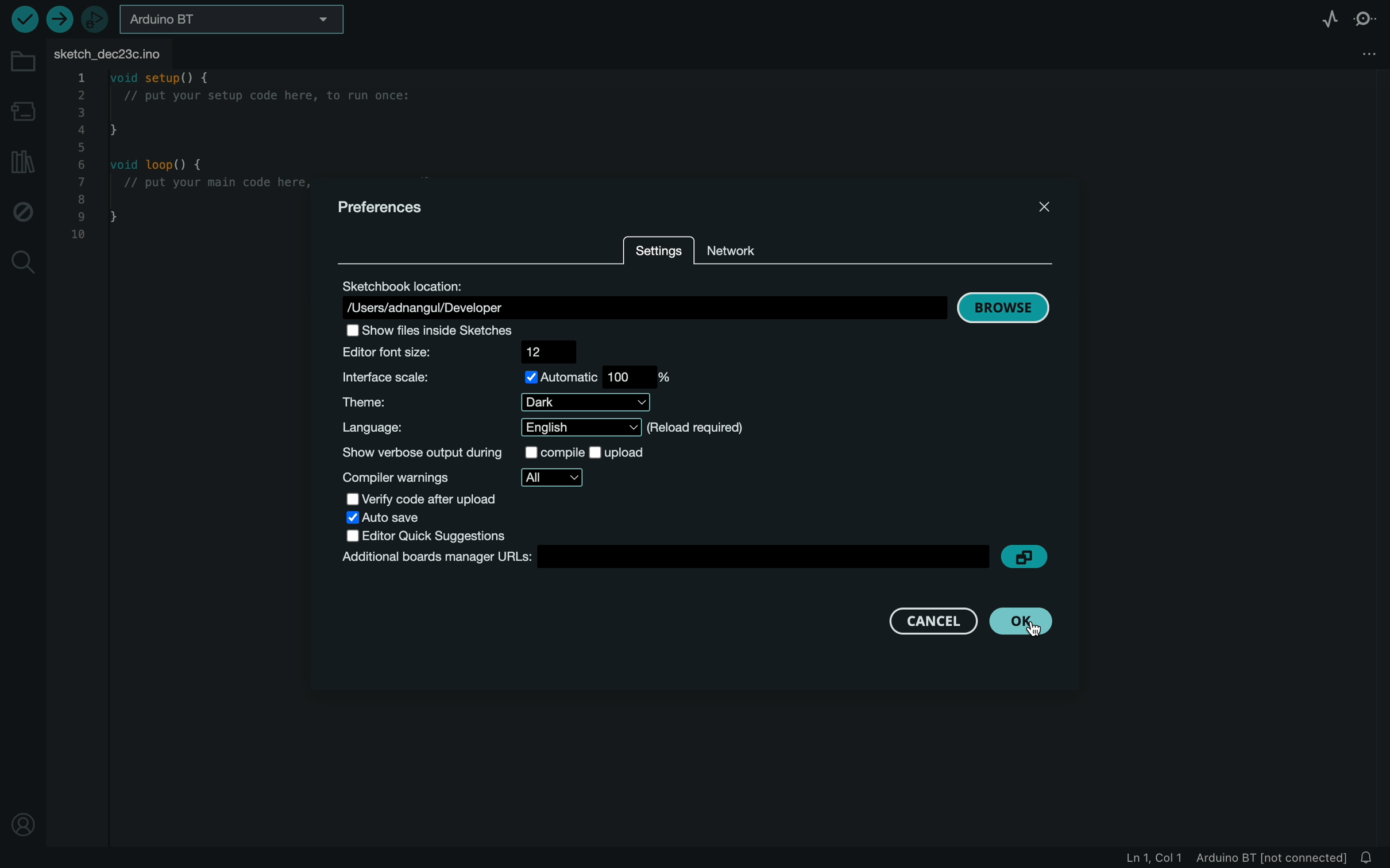  Describe the element at coordinates (1236, 857) in the screenshot. I see `file logs` at that location.